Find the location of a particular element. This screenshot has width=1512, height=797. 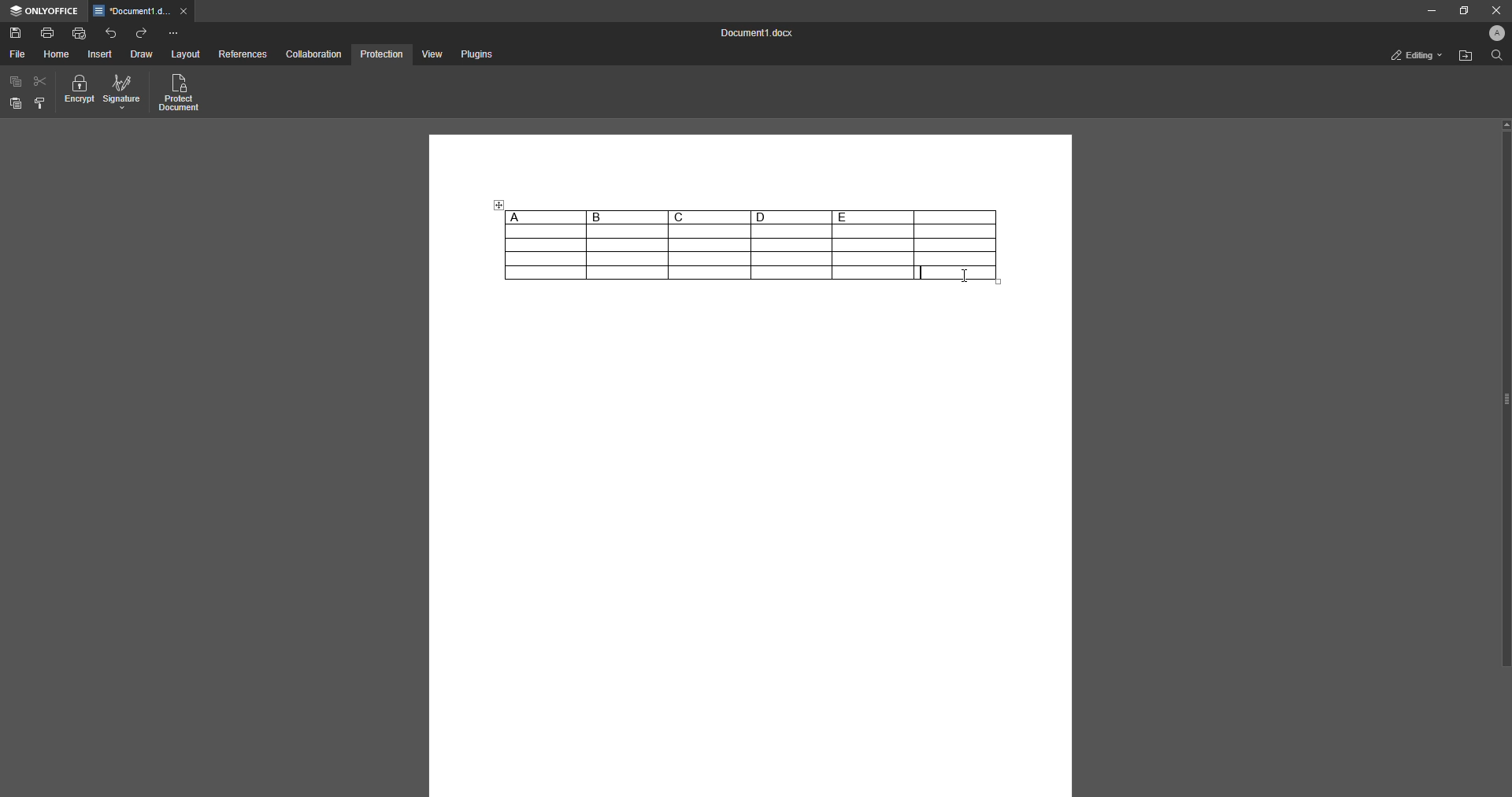

Minimize is located at coordinates (1426, 11).